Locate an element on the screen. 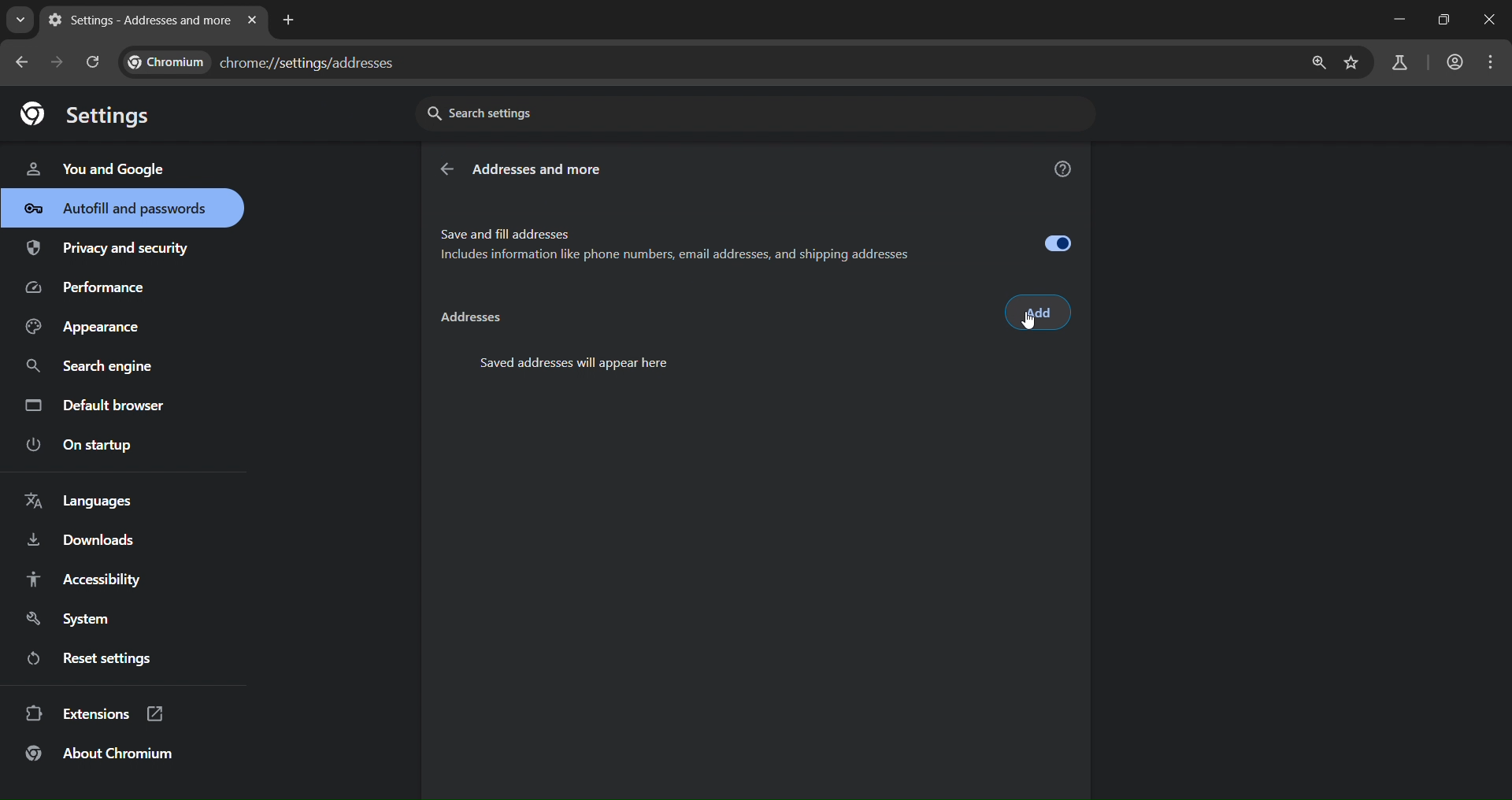  save and fill addresses is located at coordinates (757, 241).